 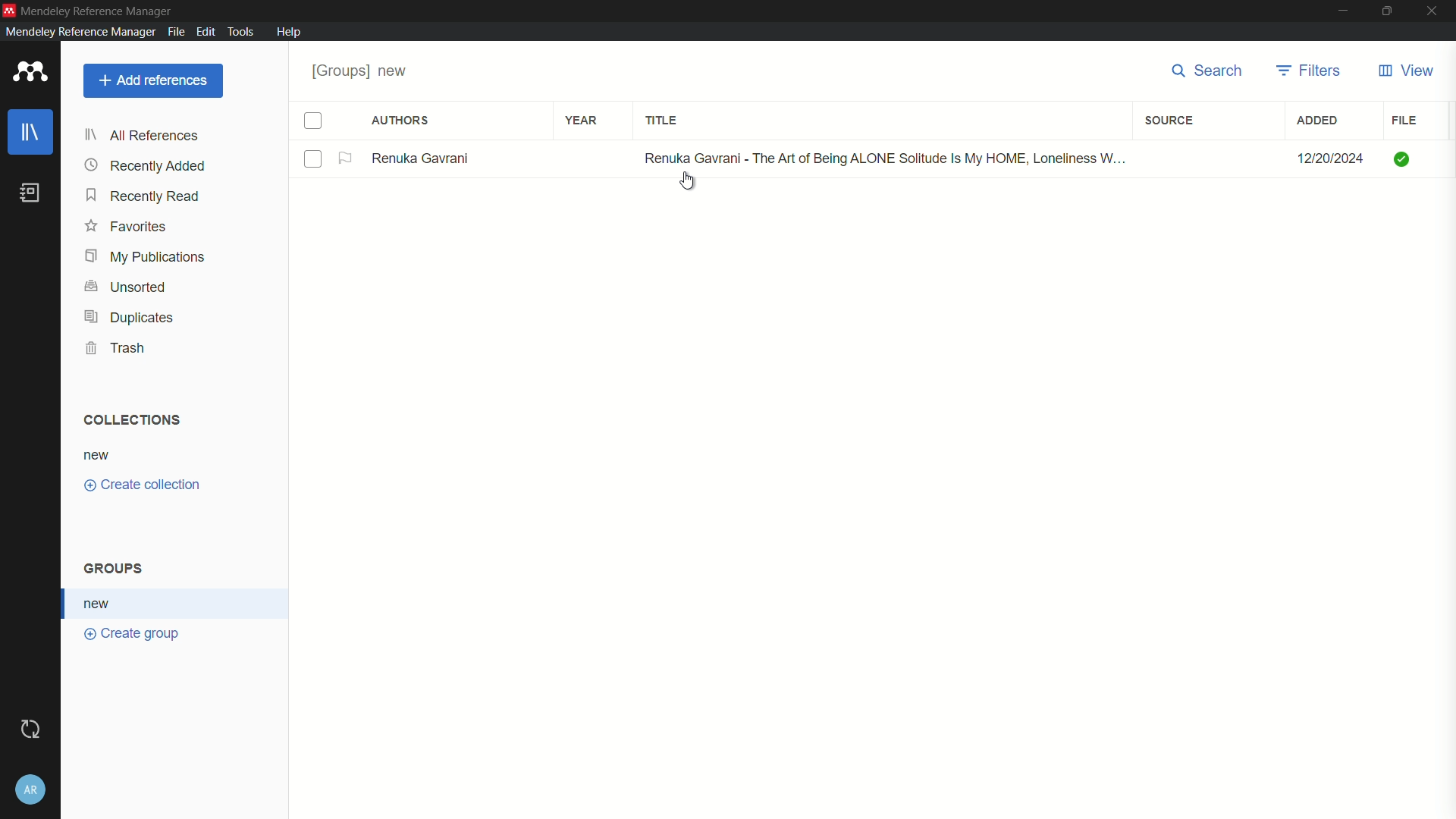 What do you see at coordinates (145, 196) in the screenshot?
I see `recently read` at bounding box center [145, 196].